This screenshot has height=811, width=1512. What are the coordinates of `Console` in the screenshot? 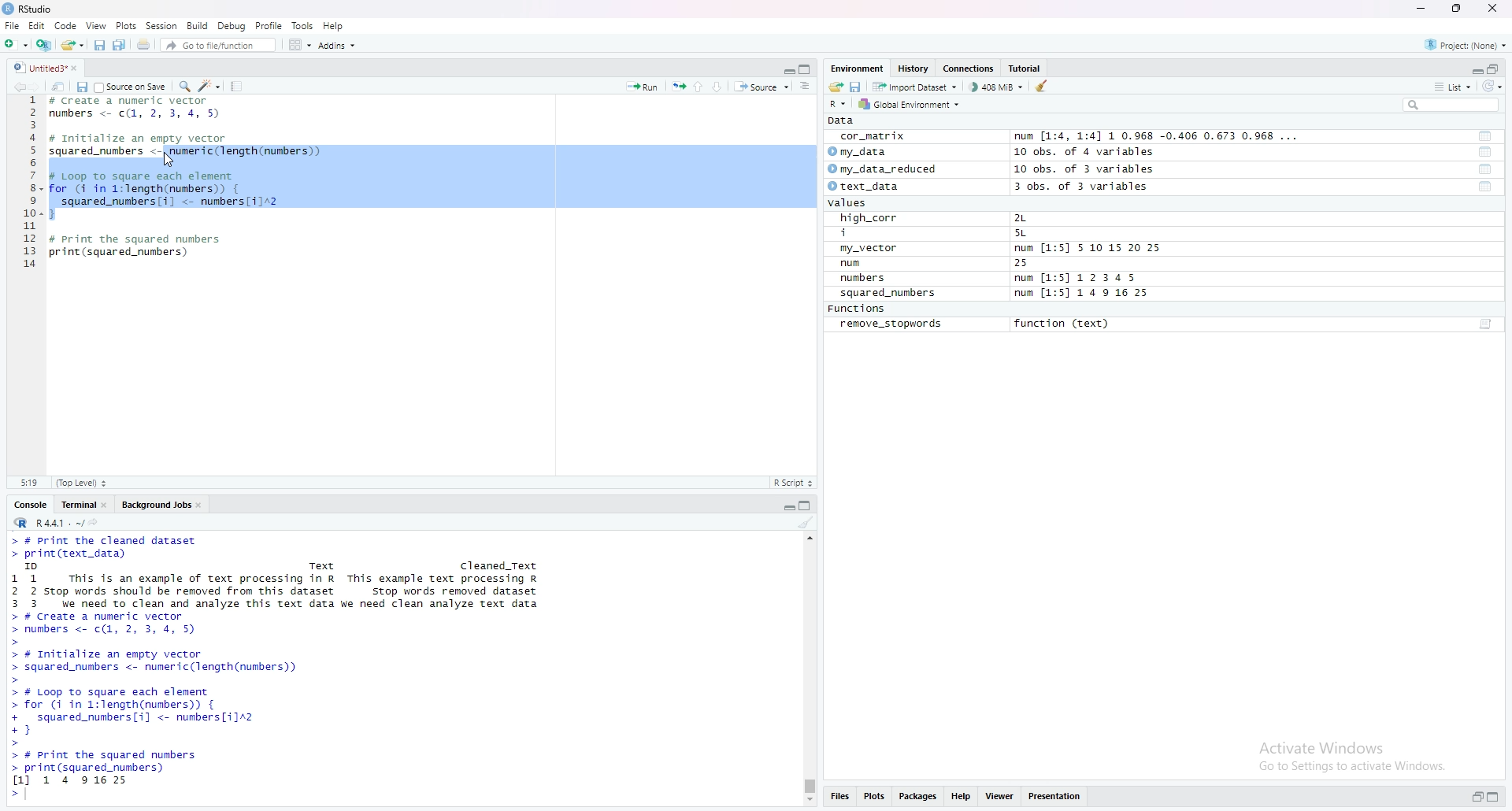 It's located at (31, 503).